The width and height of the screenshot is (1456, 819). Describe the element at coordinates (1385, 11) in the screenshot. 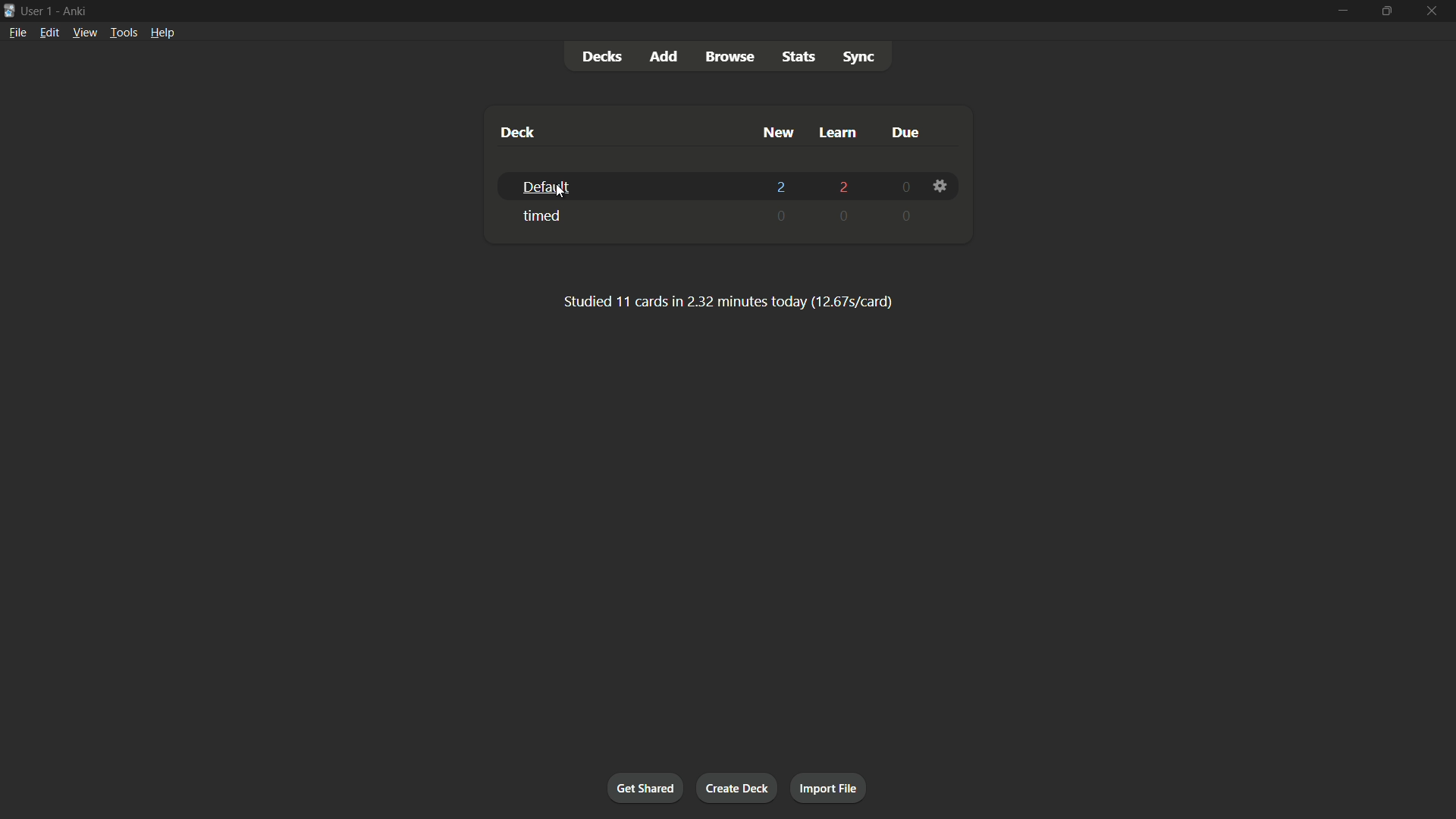

I see `maximize` at that location.